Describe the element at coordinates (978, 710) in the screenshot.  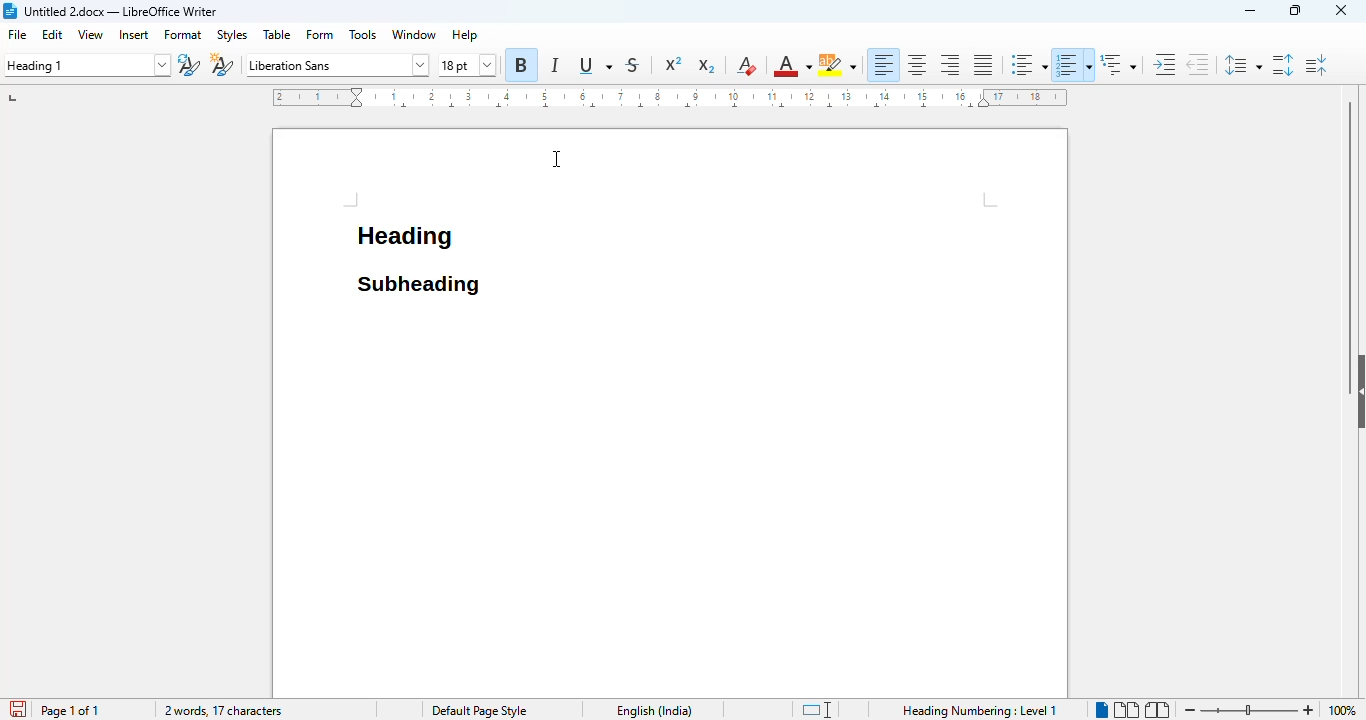
I see `heading numbering: level 1` at that location.